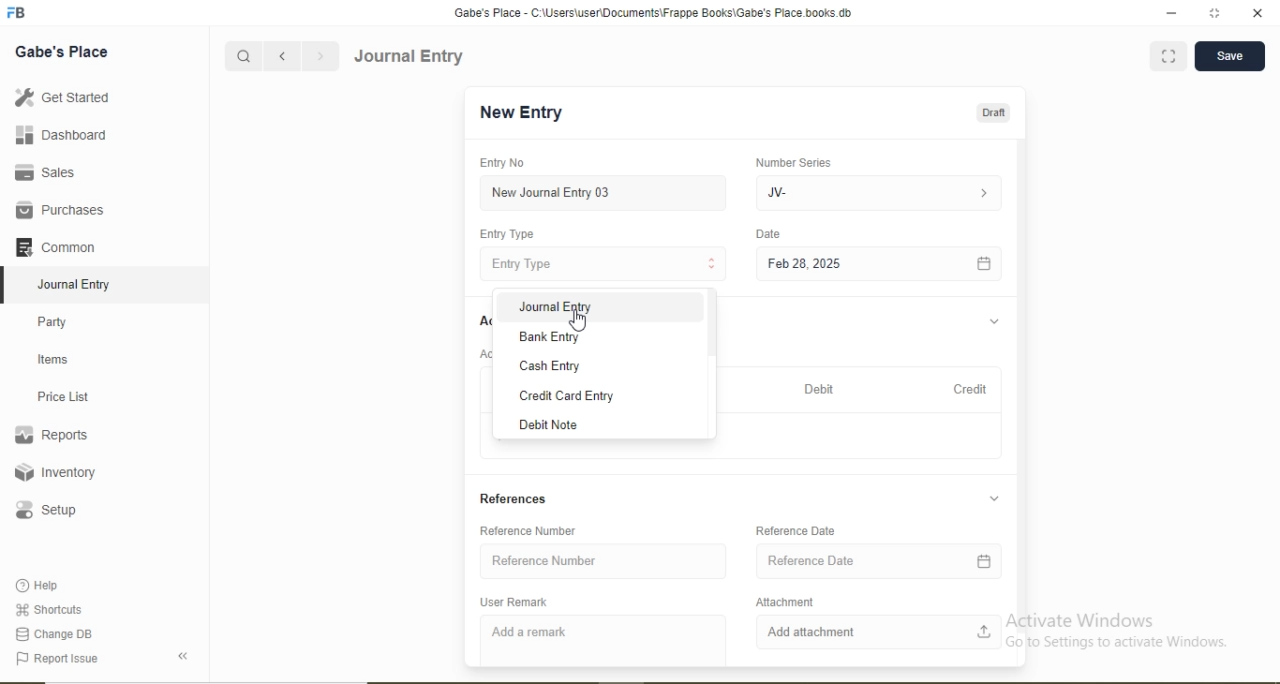 This screenshot has height=684, width=1280. Describe the element at coordinates (1215, 13) in the screenshot. I see `full screen` at that location.